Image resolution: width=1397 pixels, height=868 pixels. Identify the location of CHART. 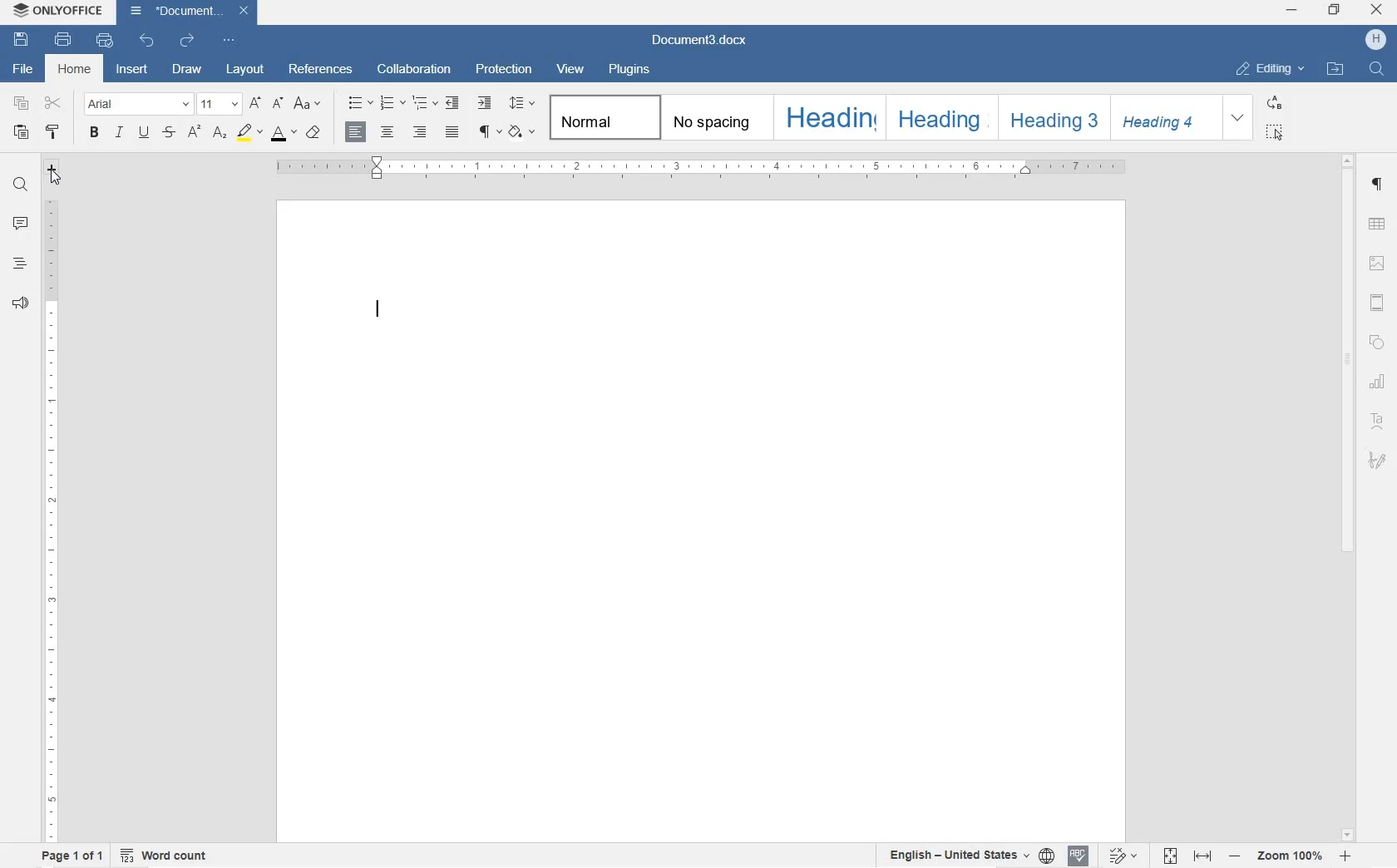
(1379, 382).